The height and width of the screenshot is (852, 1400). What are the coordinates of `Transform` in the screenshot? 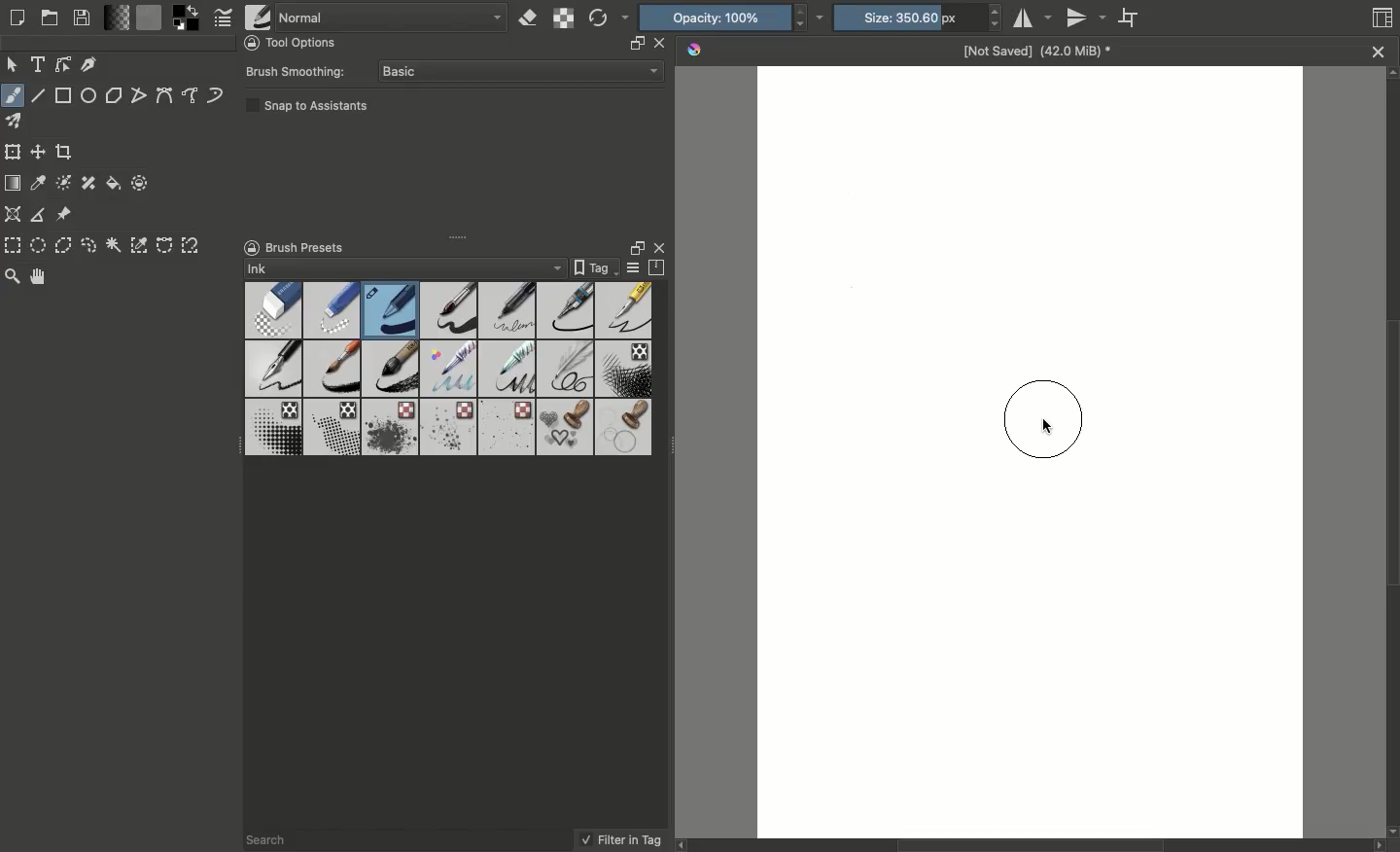 It's located at (13, 152).